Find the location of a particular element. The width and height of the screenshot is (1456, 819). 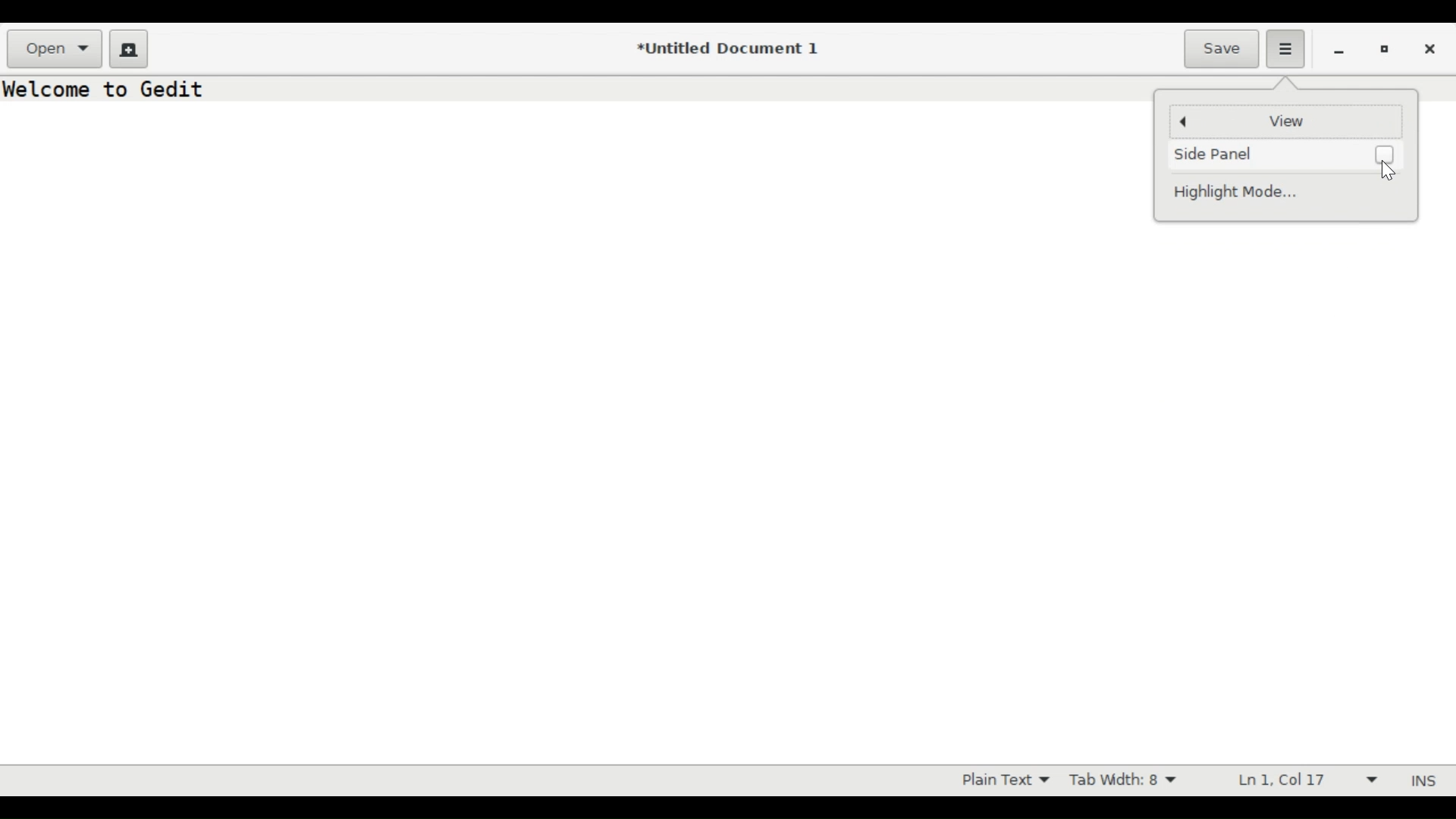

Close is located at coordinates (1432, 47).